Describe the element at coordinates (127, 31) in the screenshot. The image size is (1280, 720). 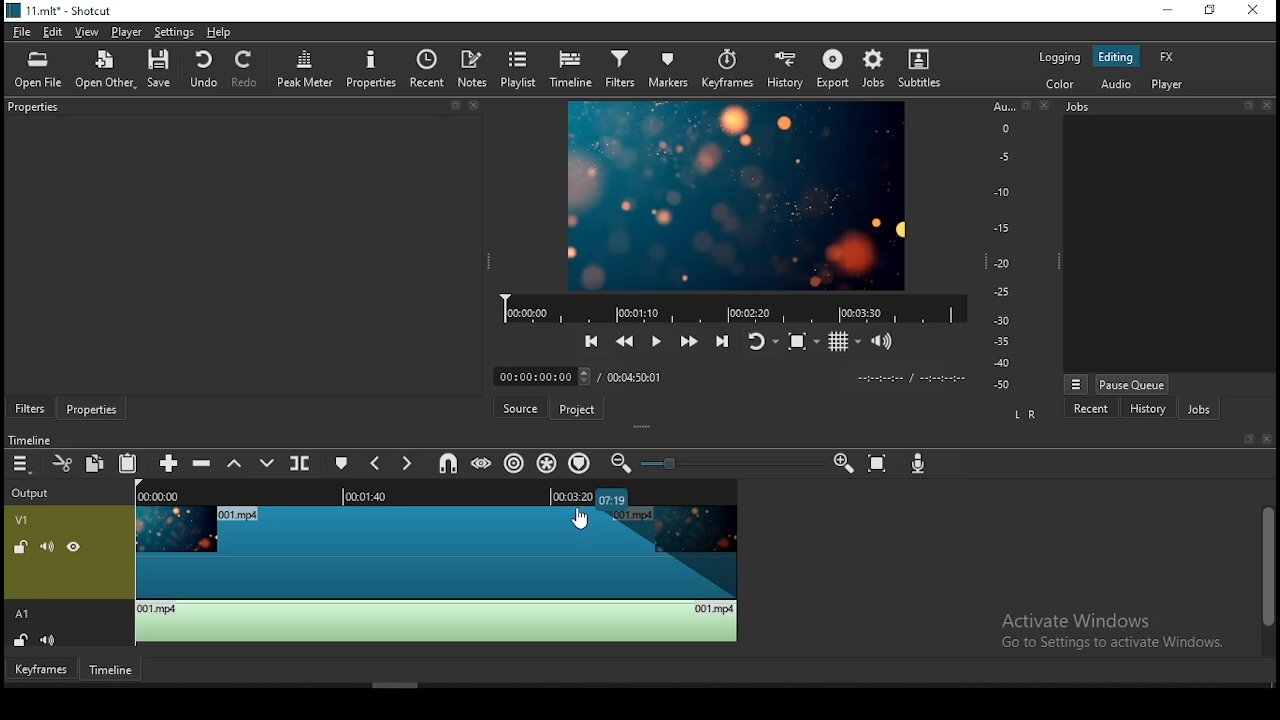
I see `player` at that location.